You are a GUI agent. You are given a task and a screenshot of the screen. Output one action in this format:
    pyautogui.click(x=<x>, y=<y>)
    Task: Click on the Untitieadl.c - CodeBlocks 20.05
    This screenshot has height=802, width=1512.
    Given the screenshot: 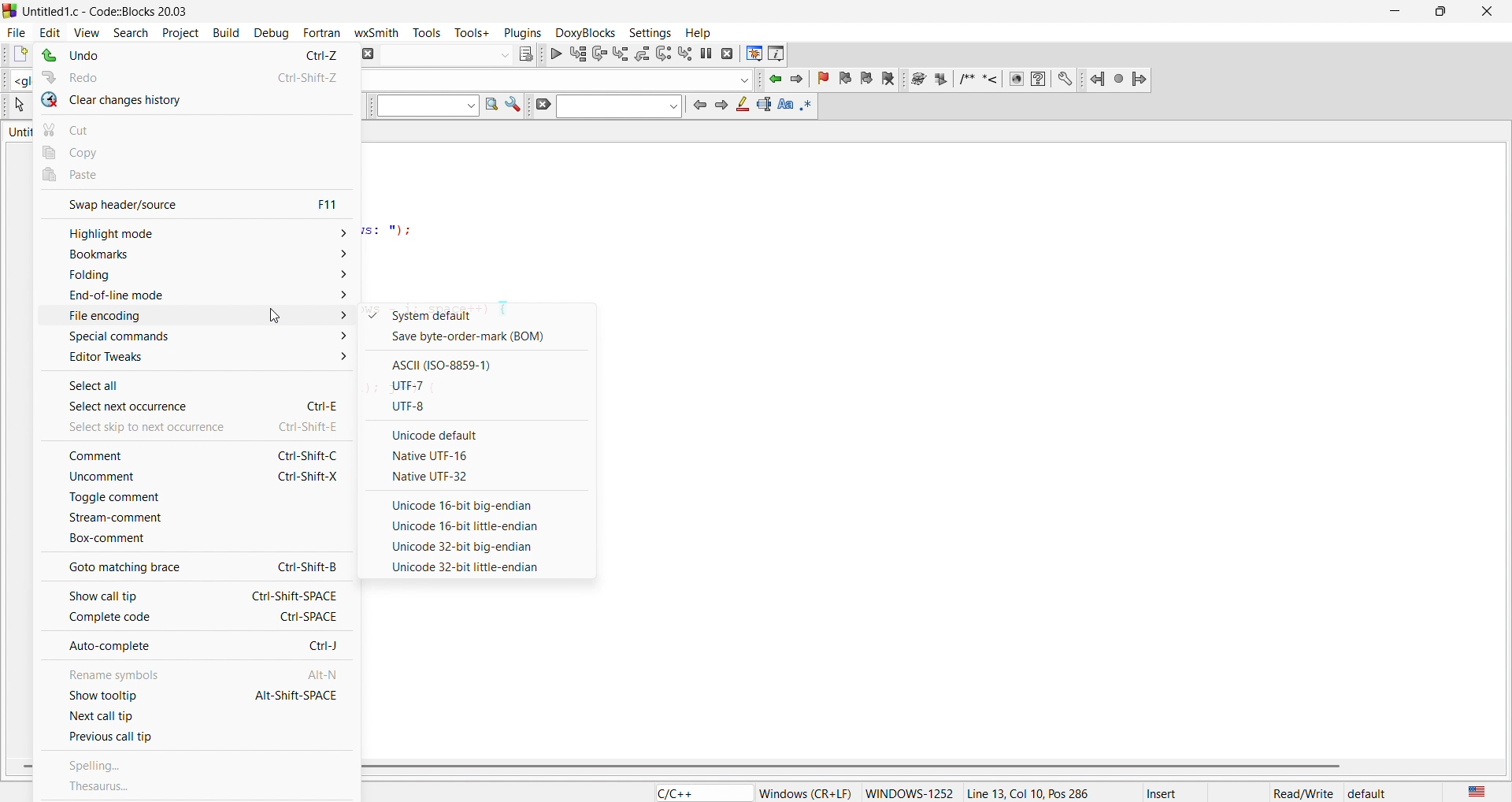 What is the action you would take?
    pyautogui.click(x=113, y=12)
    